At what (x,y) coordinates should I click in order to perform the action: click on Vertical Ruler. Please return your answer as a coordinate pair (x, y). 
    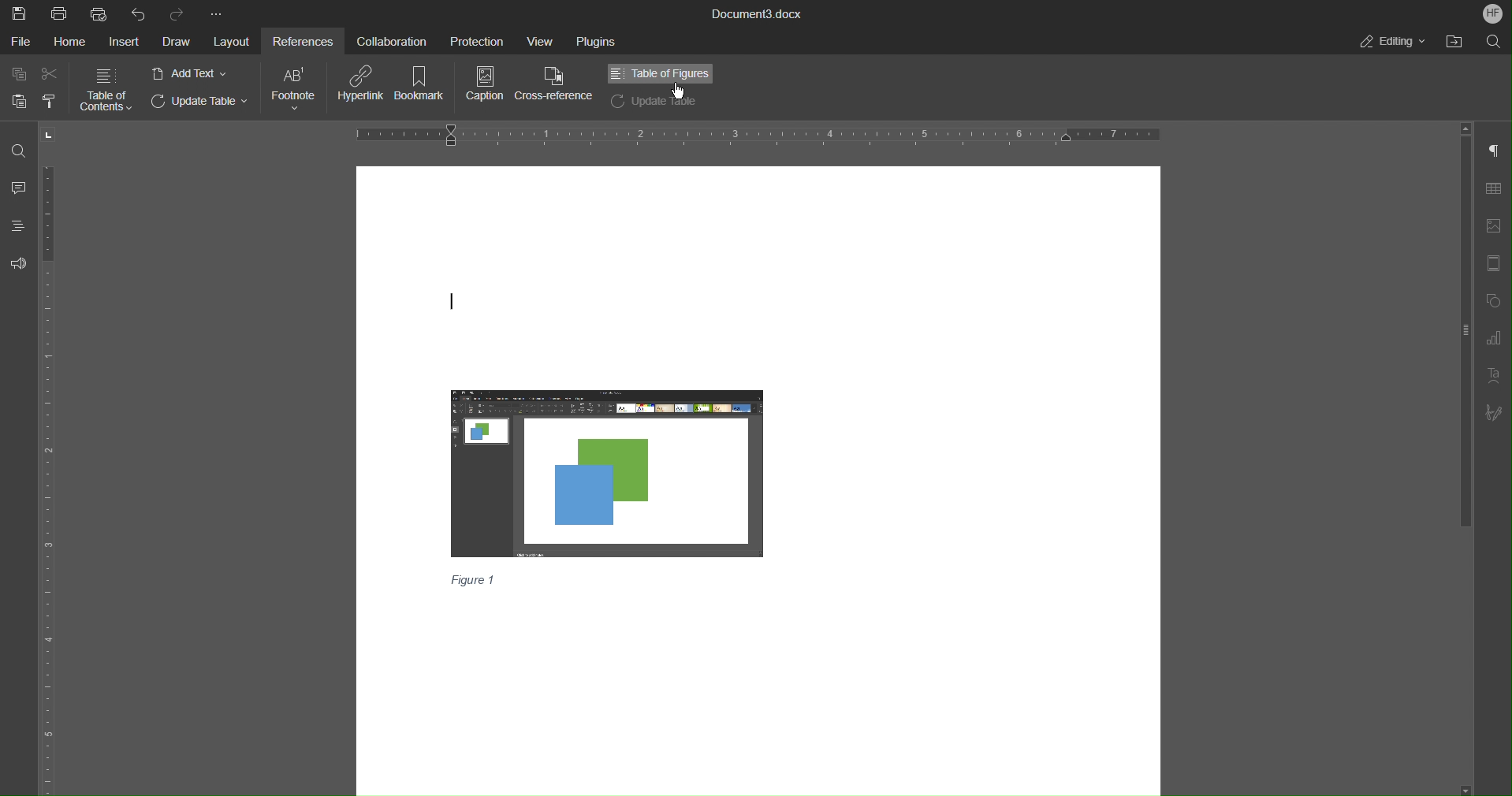
    Looking at the image, I should click on (50, 478).